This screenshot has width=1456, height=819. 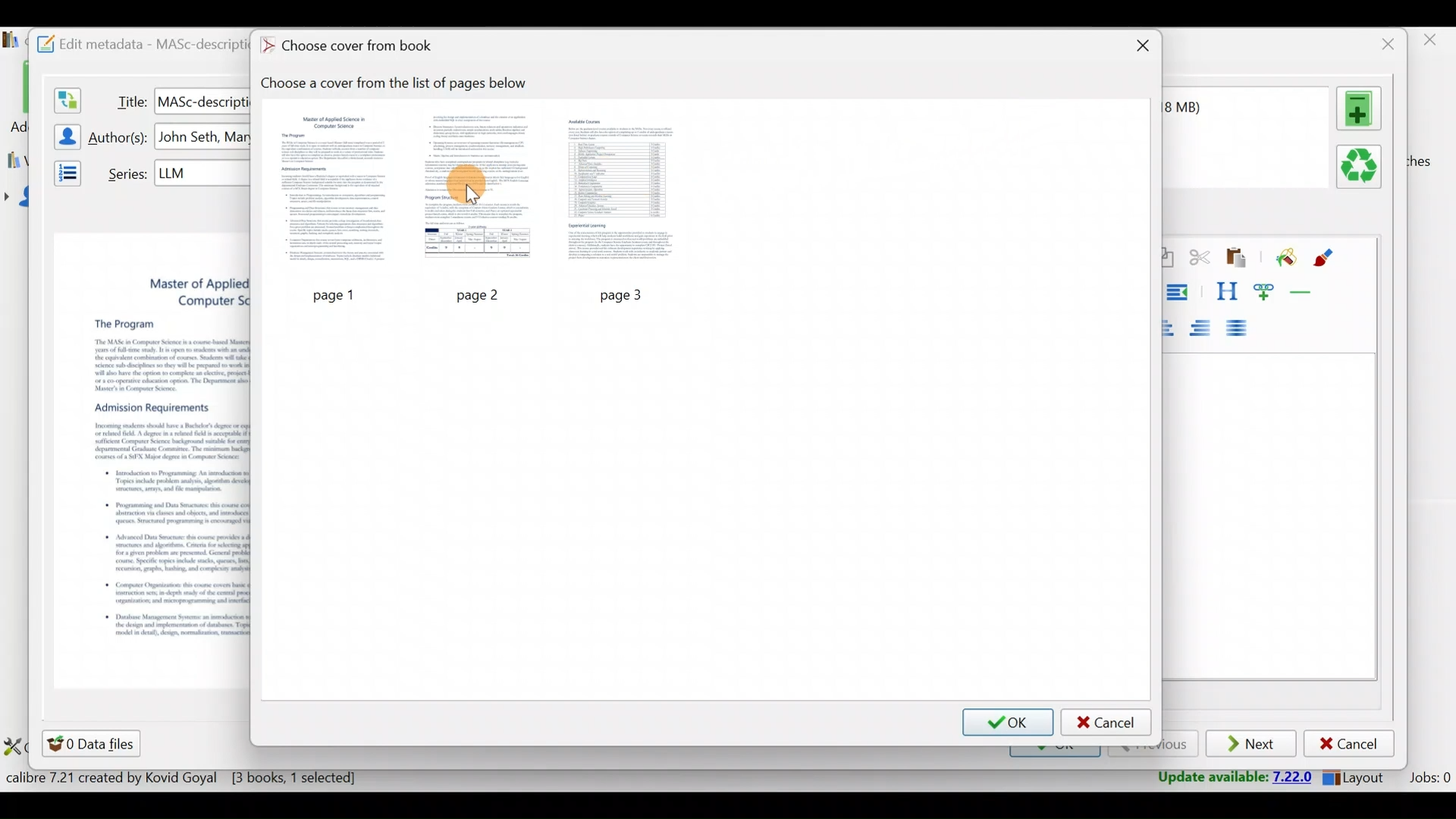 I want to click on Next, so click(x=1253, y=745).